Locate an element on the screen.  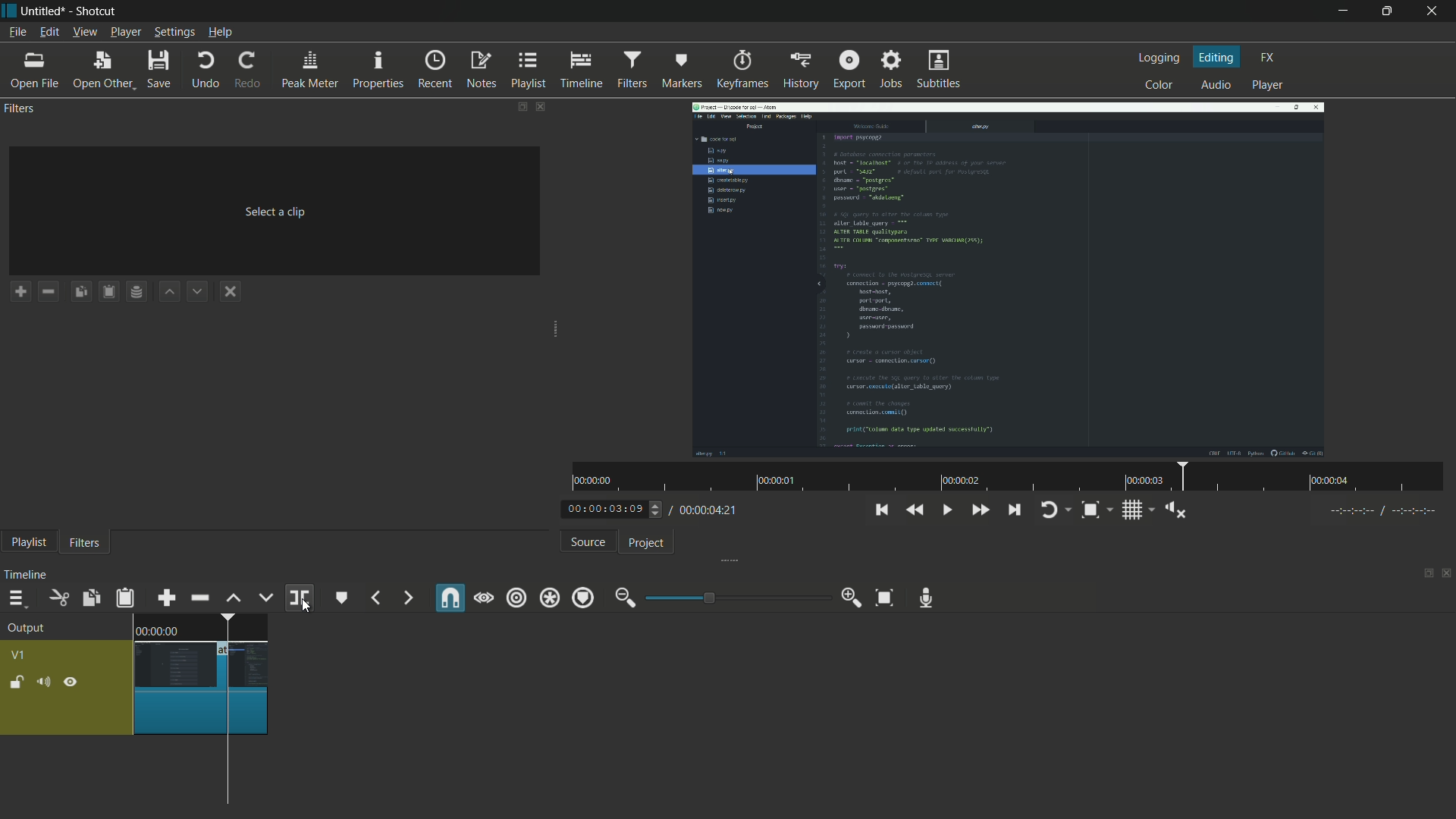
lock is located at coordinates (16, 684).